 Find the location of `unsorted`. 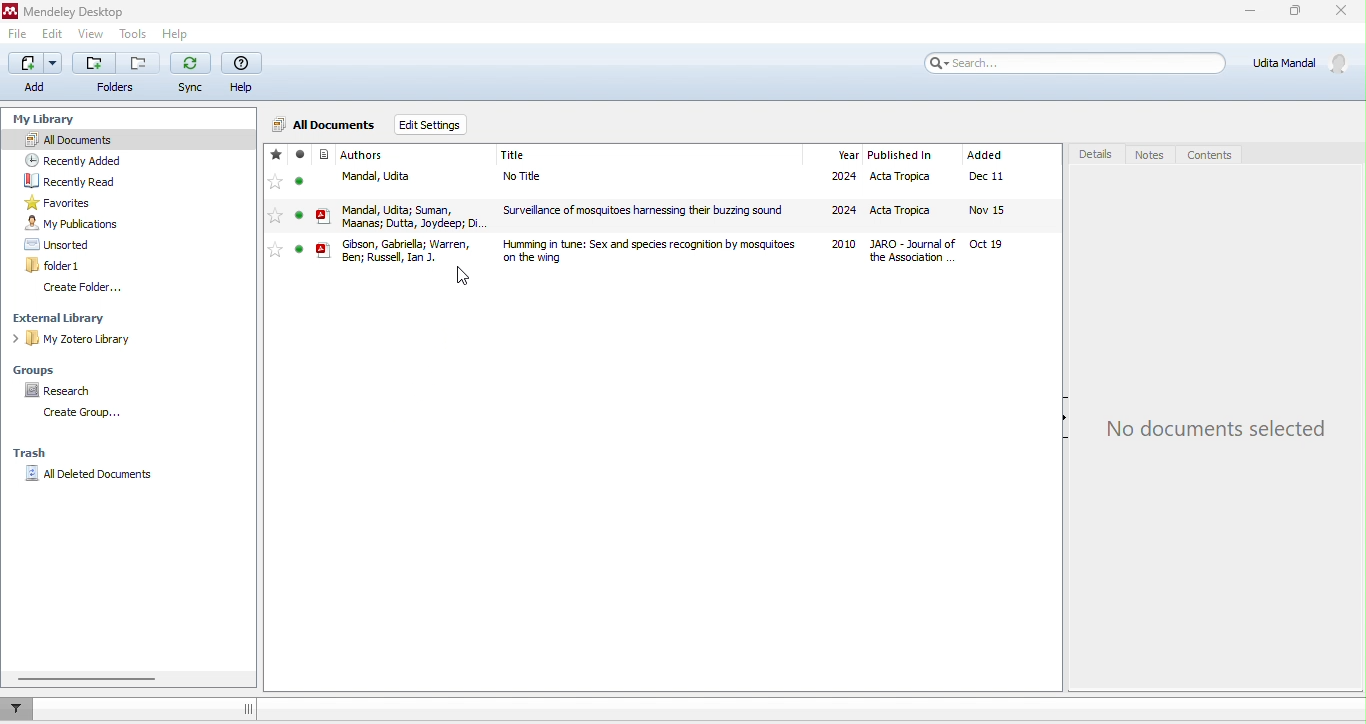

unsorted is located at coordinates (60, 244).